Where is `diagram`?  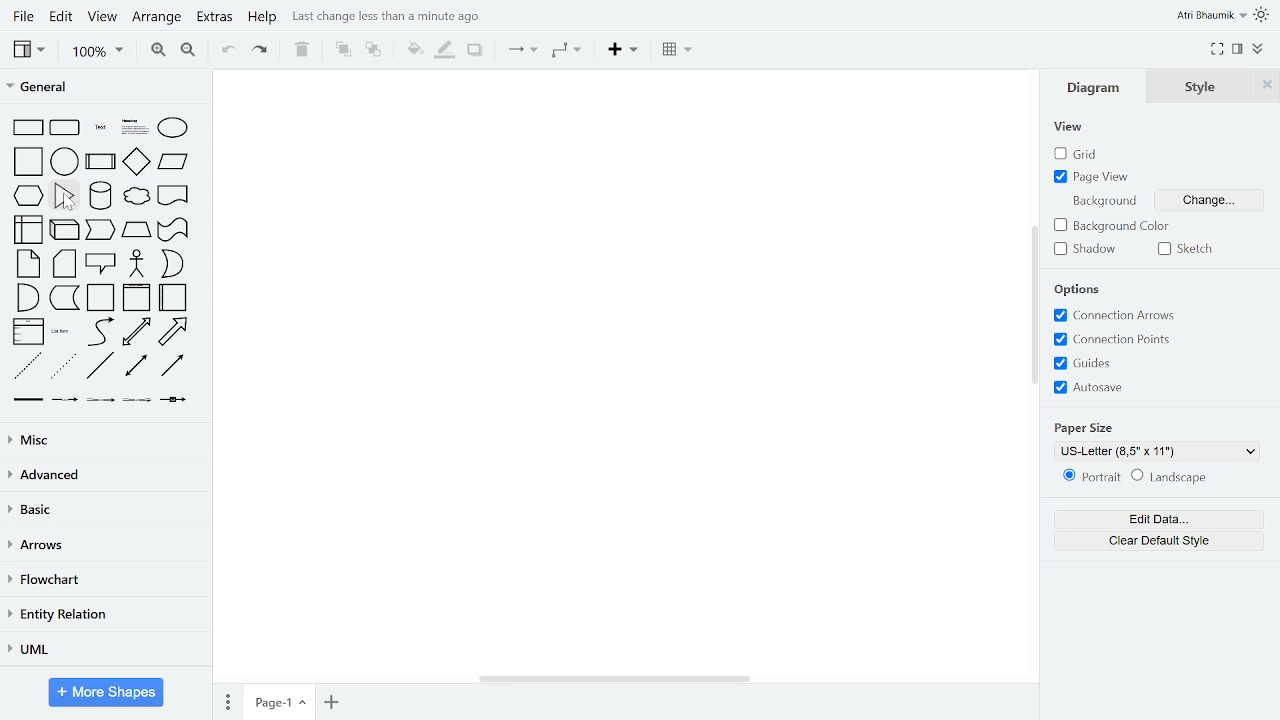 diagram is located at coordinates (1098, 87).